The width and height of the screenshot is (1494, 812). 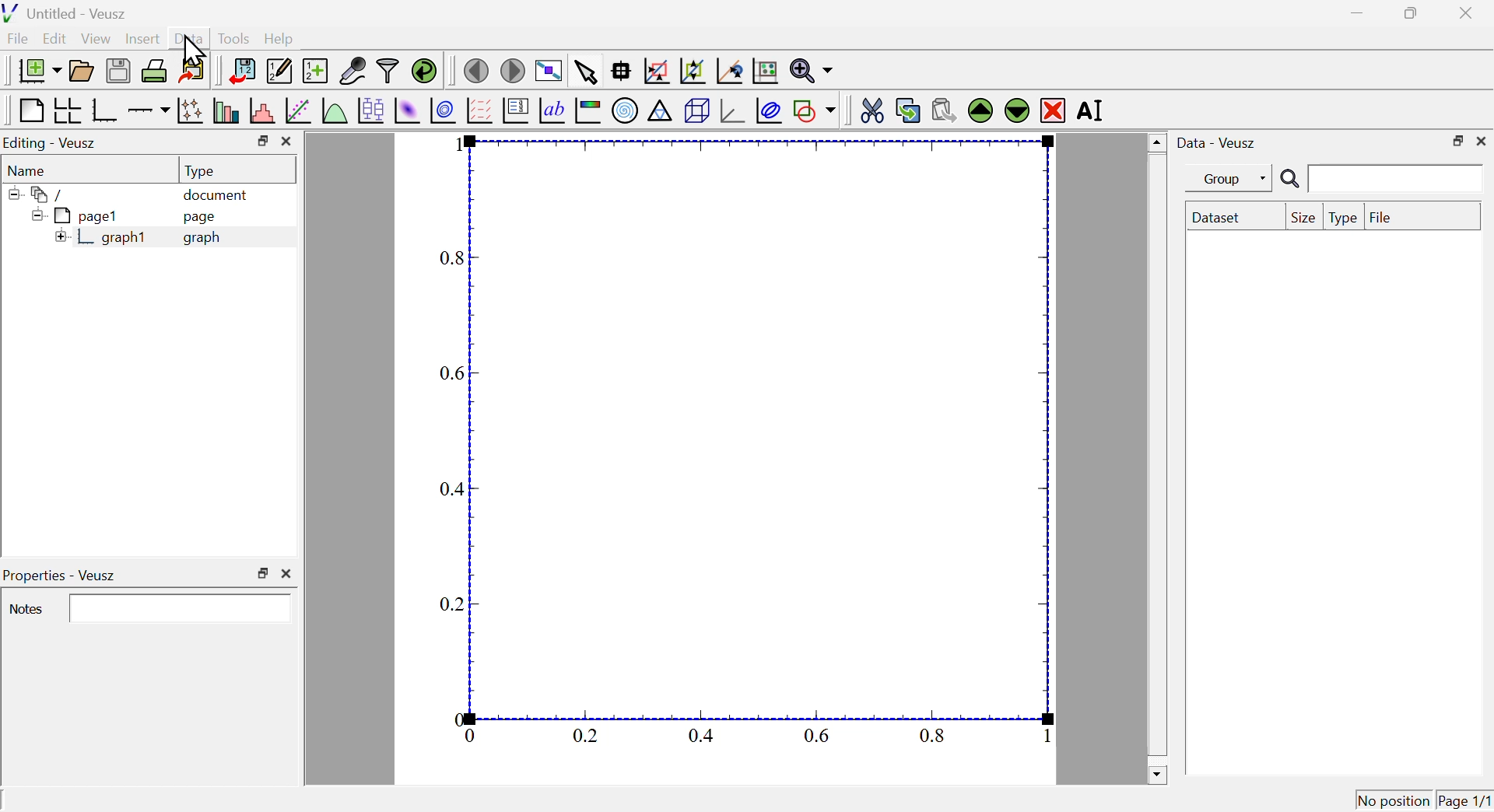 I want to click on maximize, so click(x=1407, y=14).